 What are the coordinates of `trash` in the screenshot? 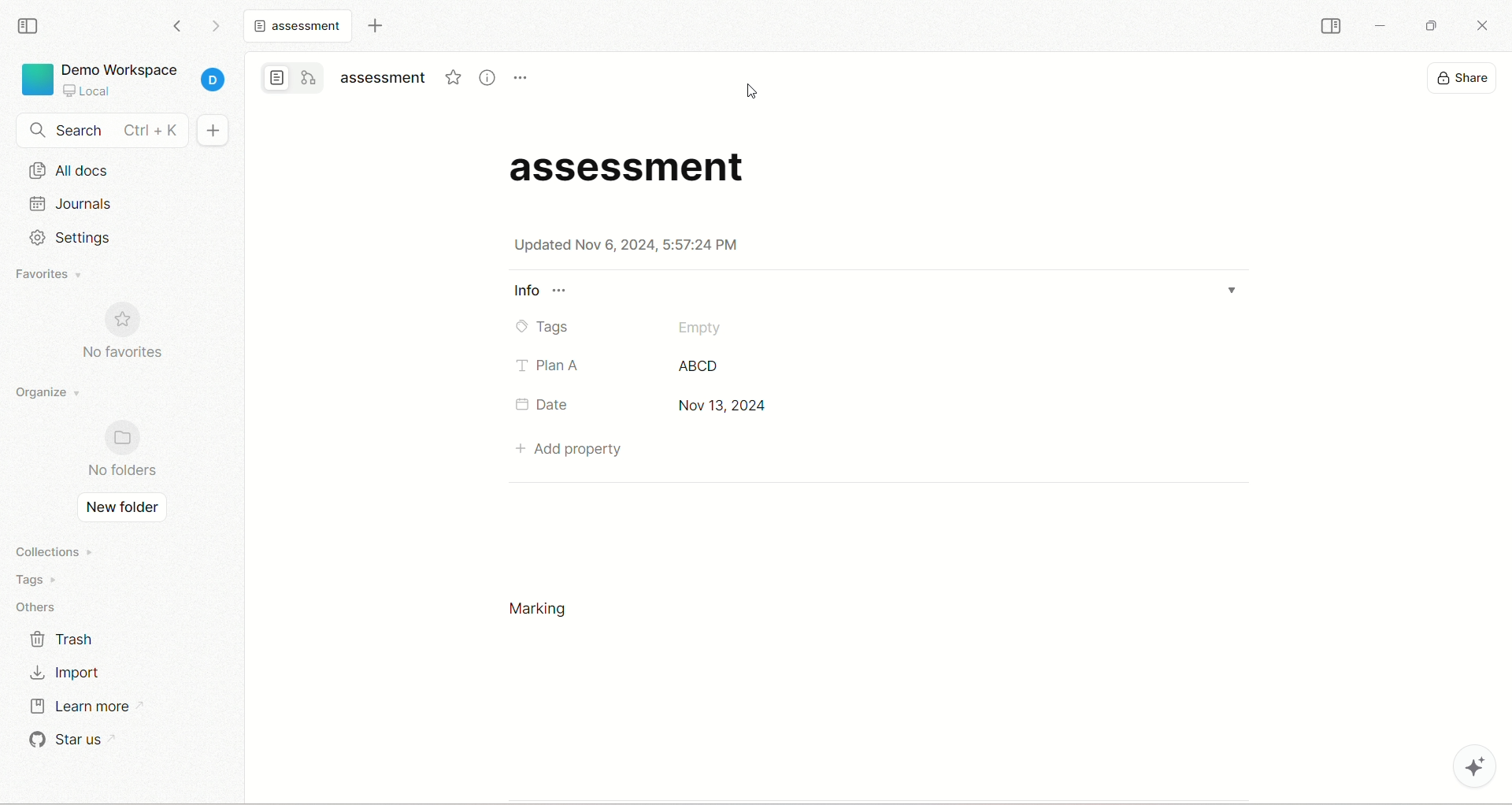 It's located at (65, 640).